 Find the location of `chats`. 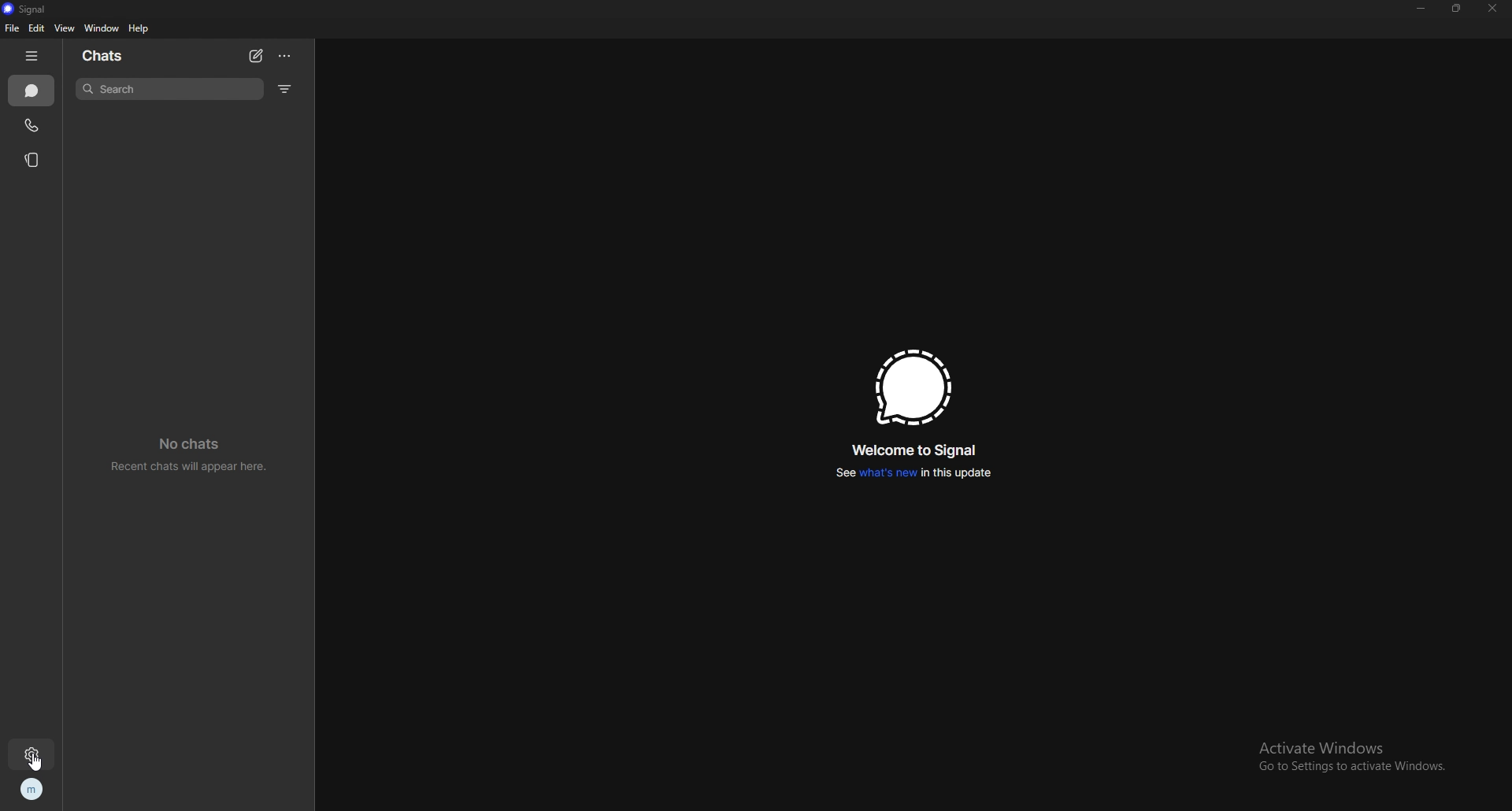

chats is located at coordinates (32, 91).